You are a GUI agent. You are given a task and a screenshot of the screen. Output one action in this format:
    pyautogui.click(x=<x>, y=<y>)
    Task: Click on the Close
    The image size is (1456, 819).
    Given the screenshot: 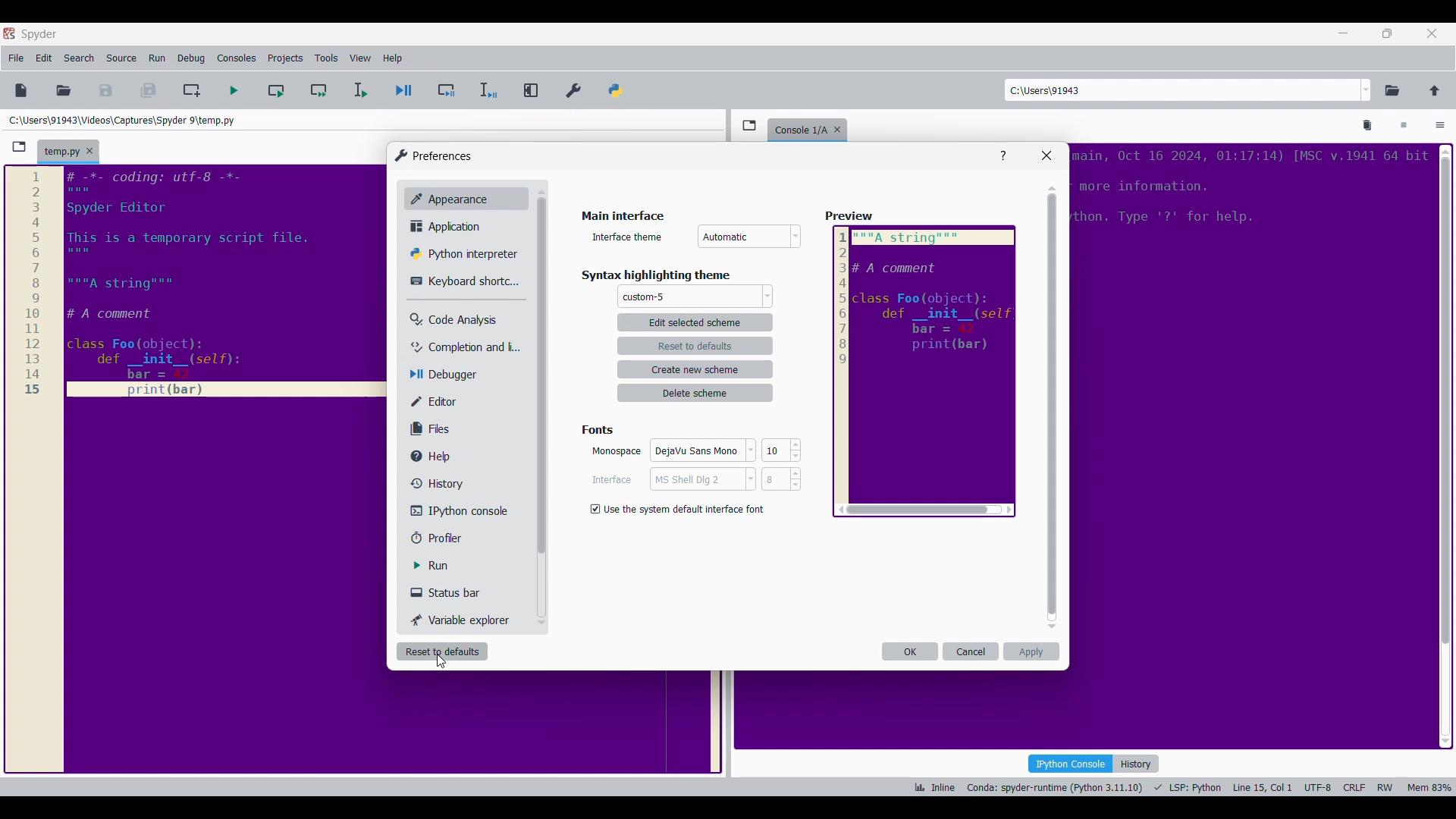 What is the action you would take?
    pyautogui.click(x=837, y=129)
    